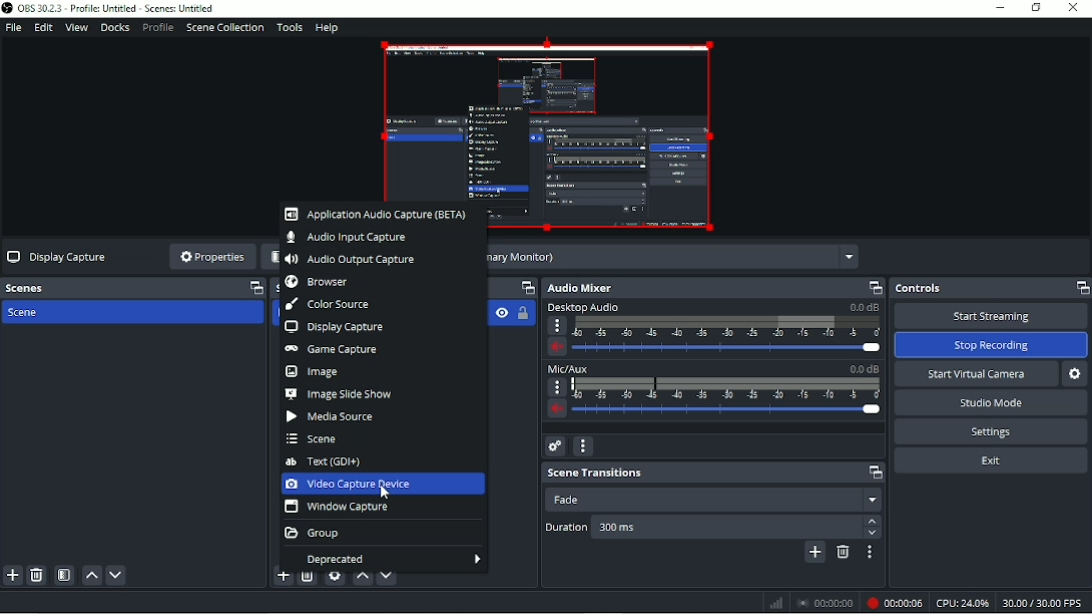 This screenshot has width=1092, height=614. I want to click on Stop recording, so click(989, 344).